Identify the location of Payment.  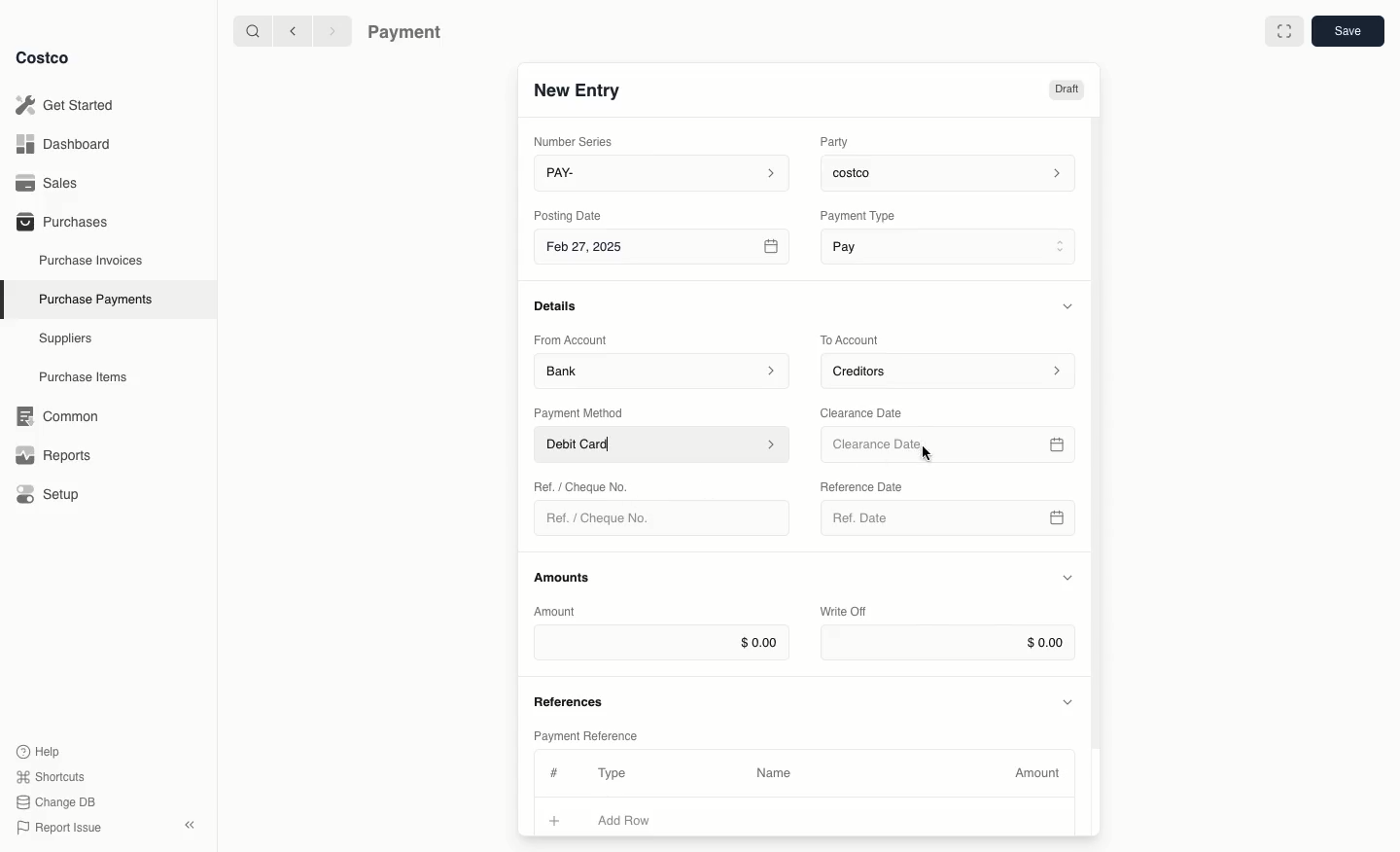
(409, 34).